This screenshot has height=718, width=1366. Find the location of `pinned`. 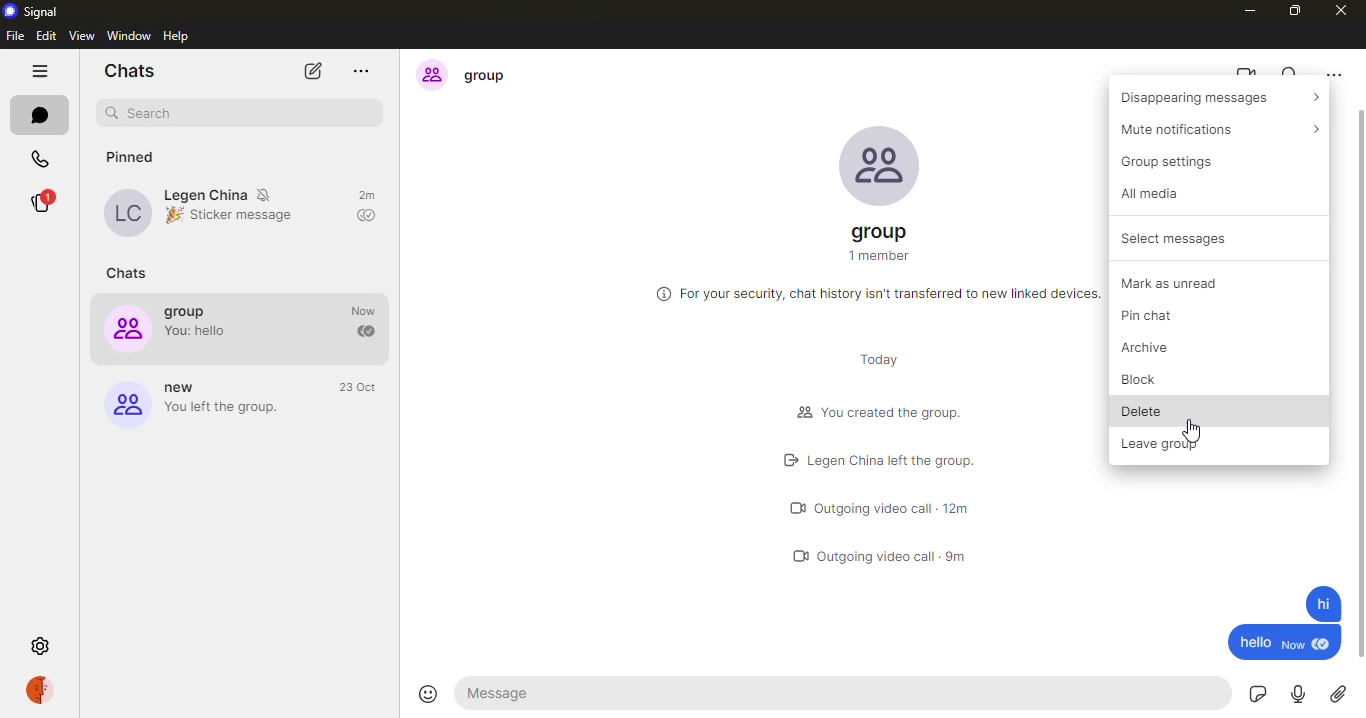

pinned is located at coordinates (138, 155).